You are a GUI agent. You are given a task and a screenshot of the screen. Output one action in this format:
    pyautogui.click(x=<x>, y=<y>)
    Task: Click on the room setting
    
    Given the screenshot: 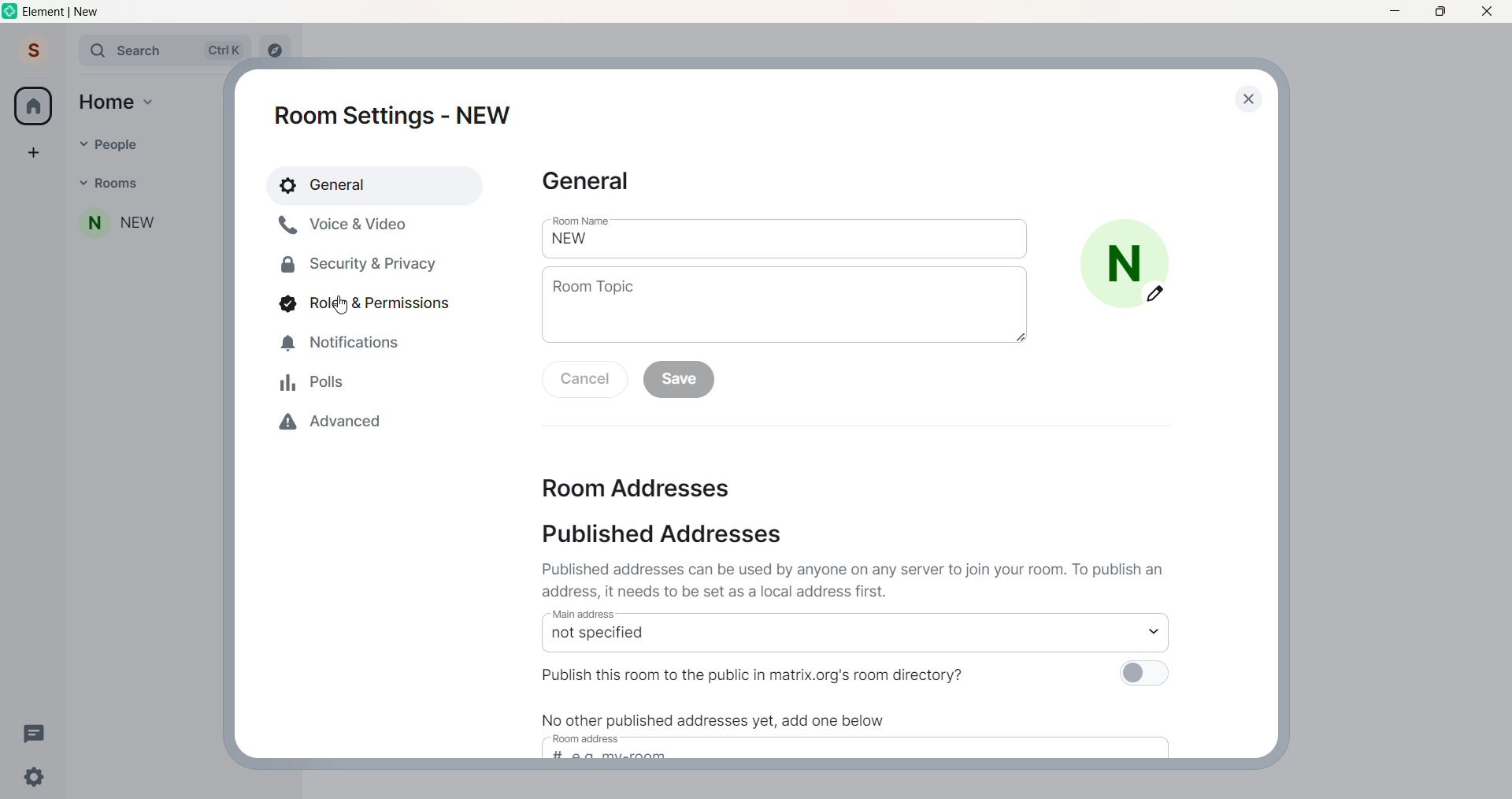 What is the action you would take?
    pyautogui.click(x=397, y=113)
    